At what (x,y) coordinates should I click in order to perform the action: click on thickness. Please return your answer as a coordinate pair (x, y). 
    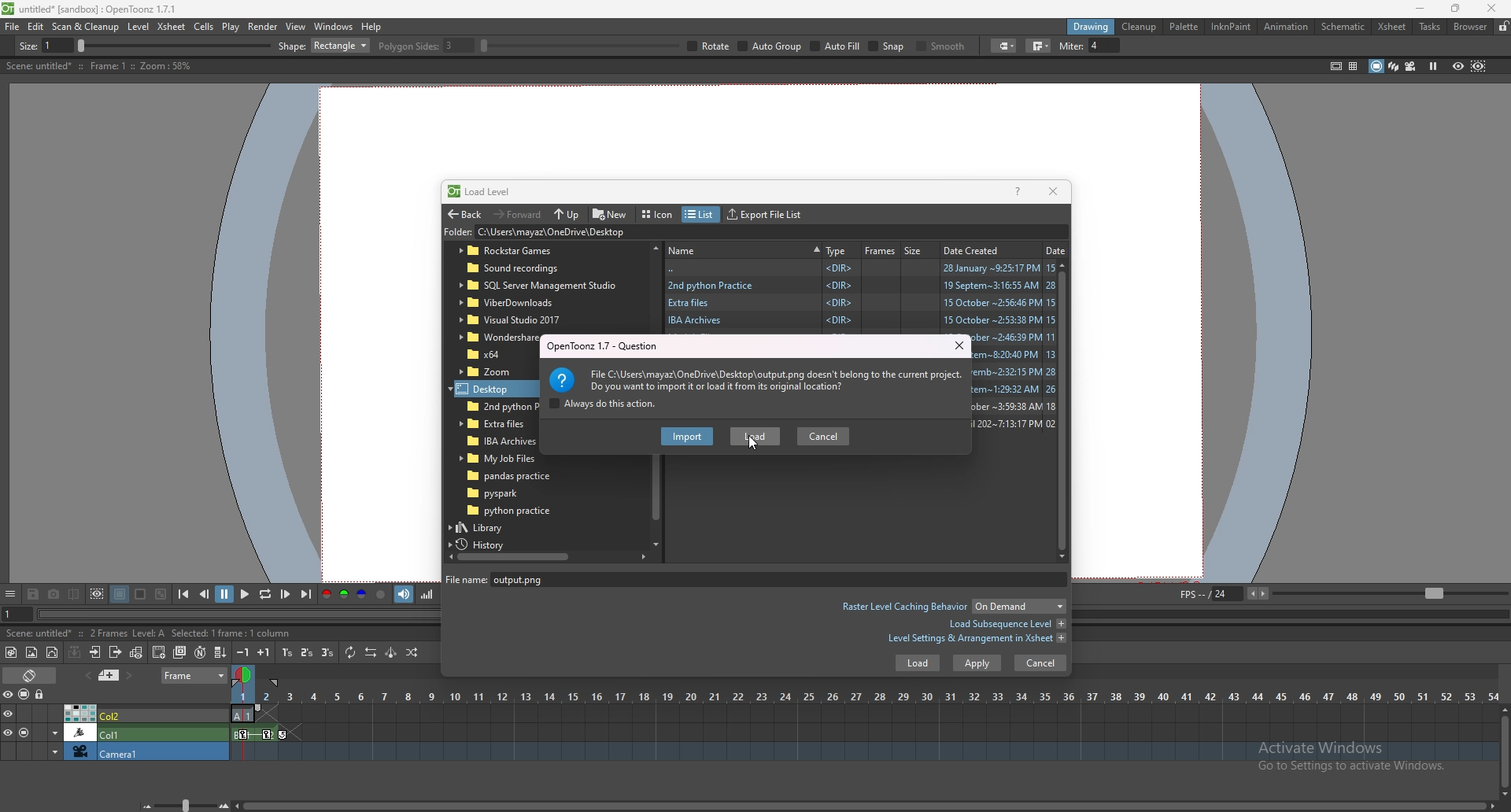
    Looking at the image, I should click on (163, 46).